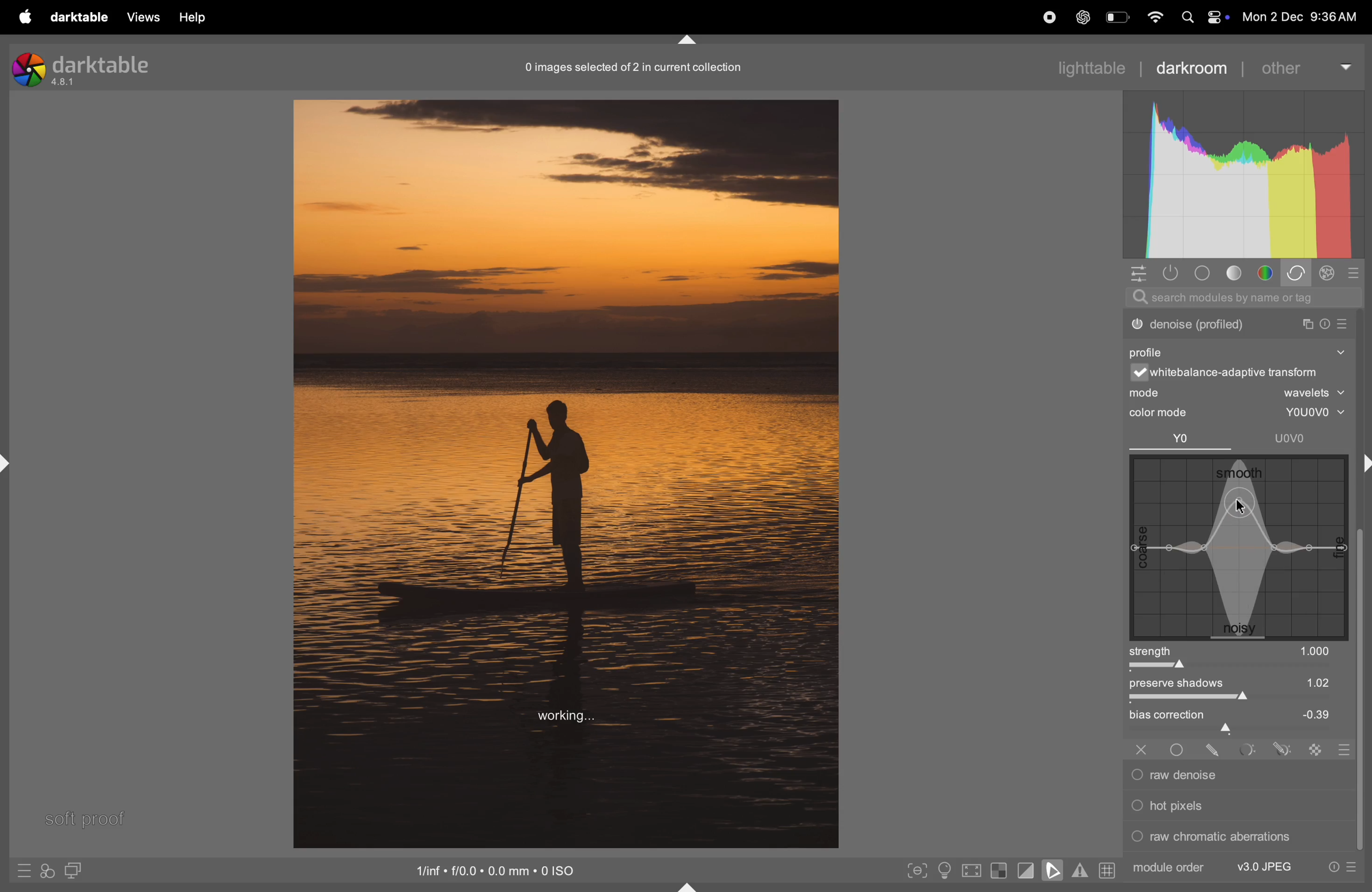 The image size is (1372, 892). I want to click on colors, so click(1267, 273).